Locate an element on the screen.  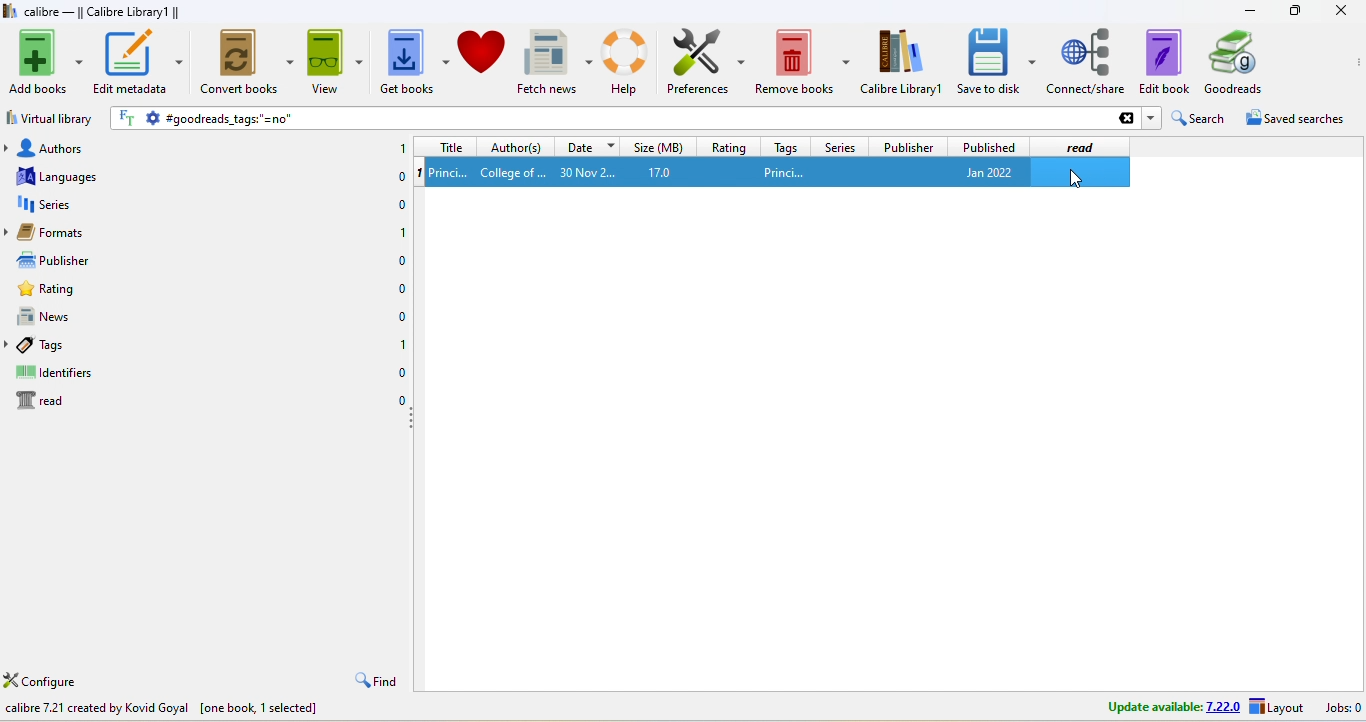
1 princi   is located at coordinates (450, 172).